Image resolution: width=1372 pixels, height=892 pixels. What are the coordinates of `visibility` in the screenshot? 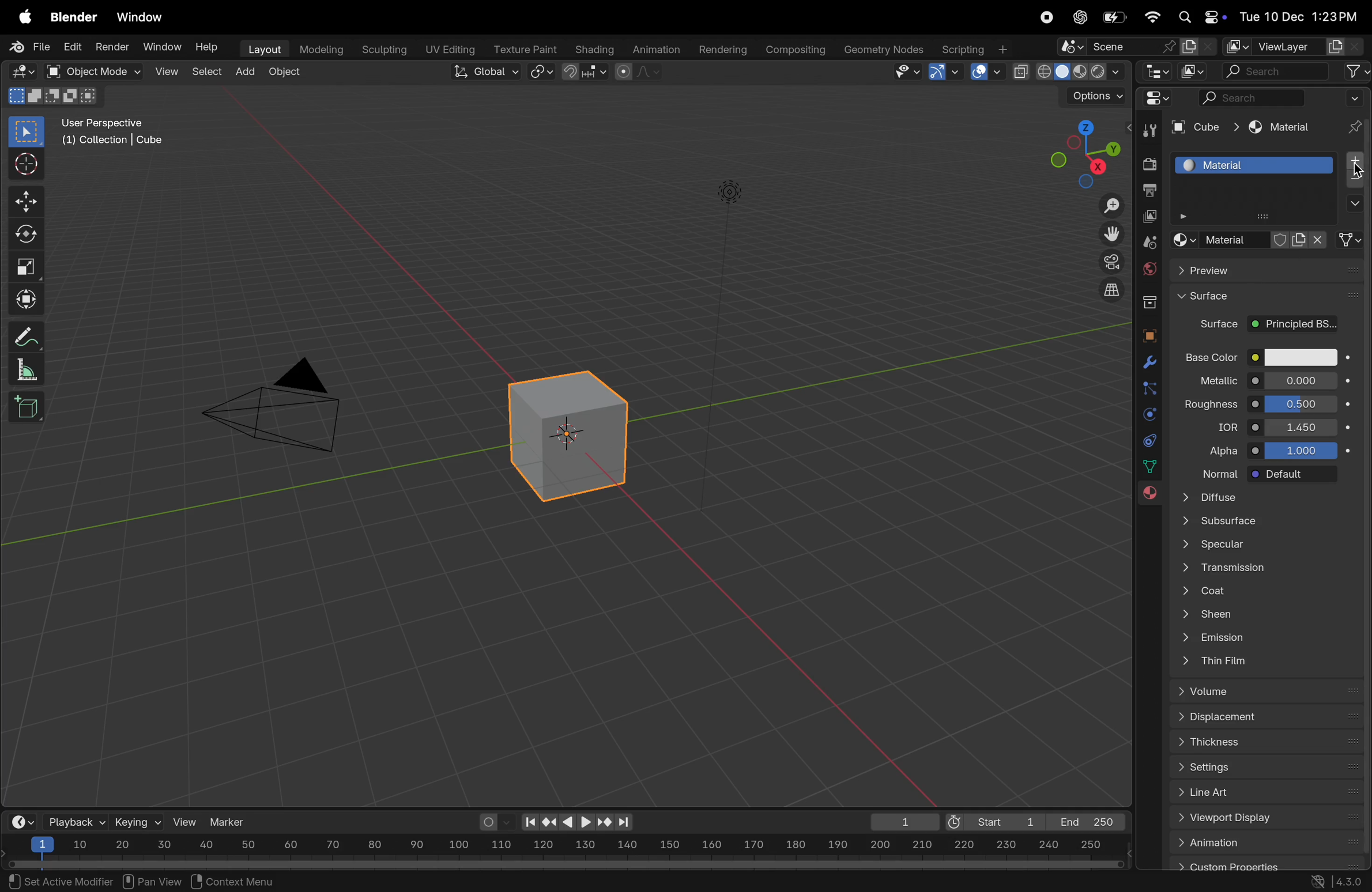 It's located at (905, 73).